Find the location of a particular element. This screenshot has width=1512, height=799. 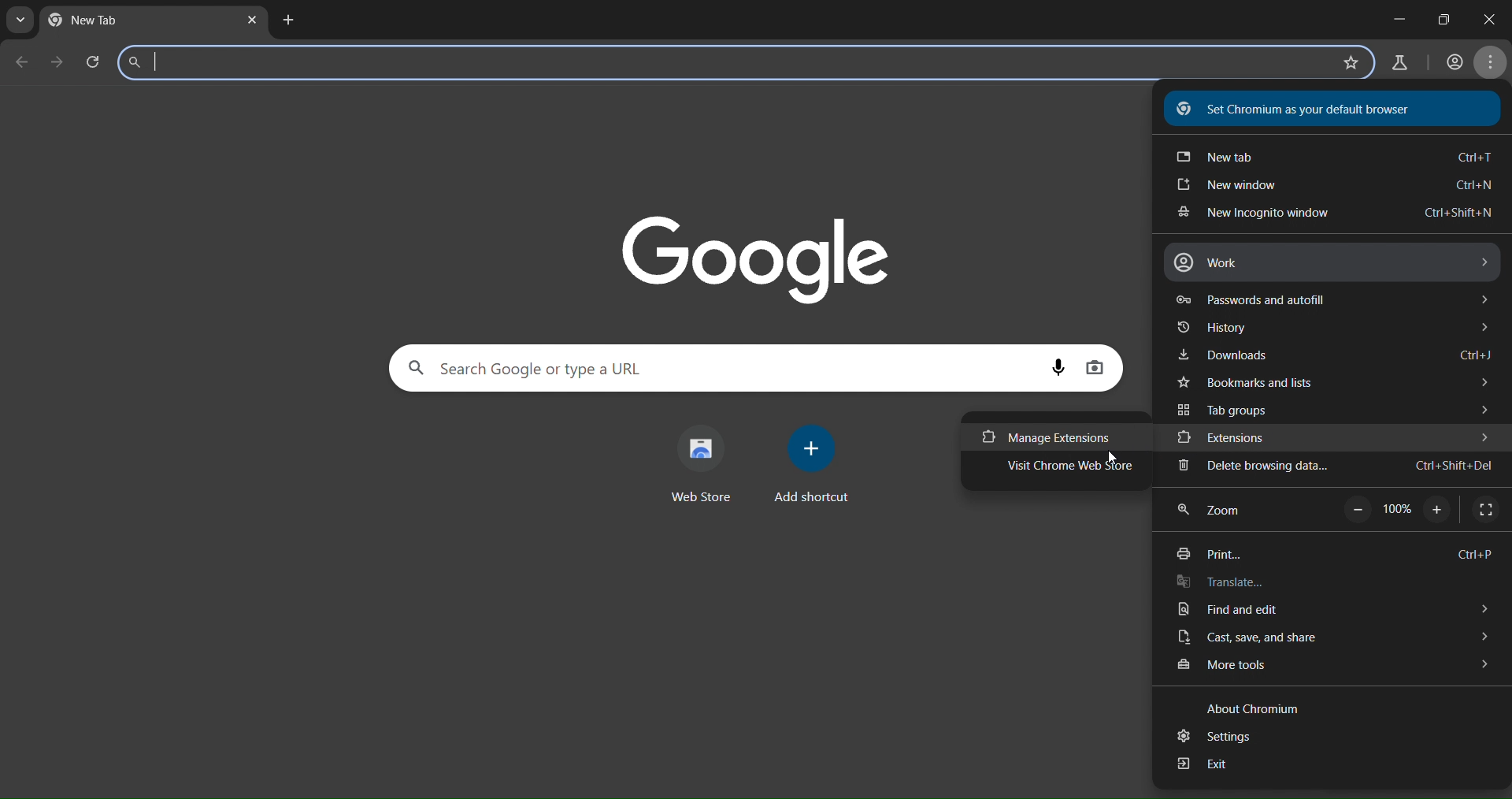

new tab is located at coordinates (99, 22).